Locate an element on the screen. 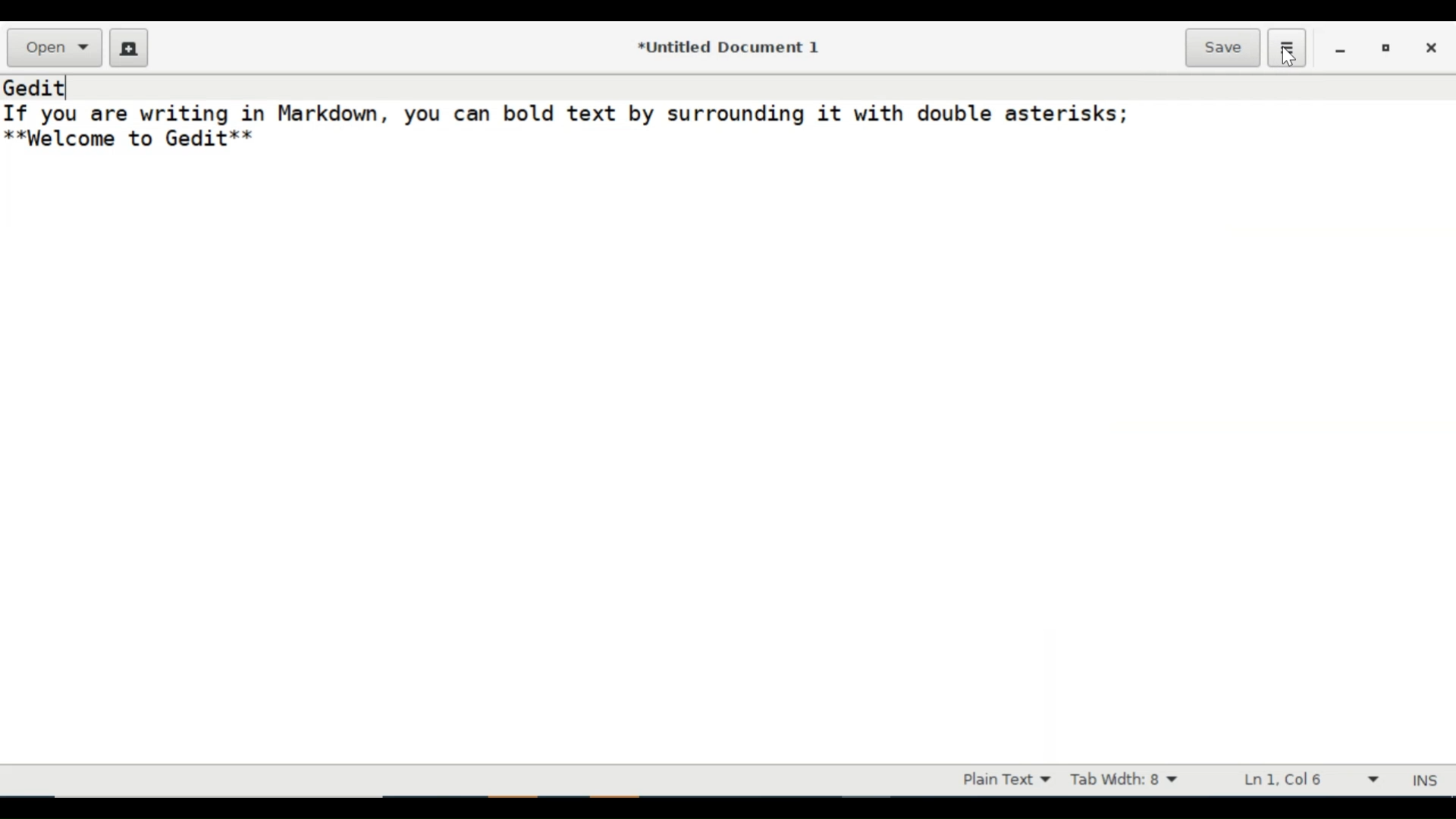  cursor is located at coordinates (1290, 56).